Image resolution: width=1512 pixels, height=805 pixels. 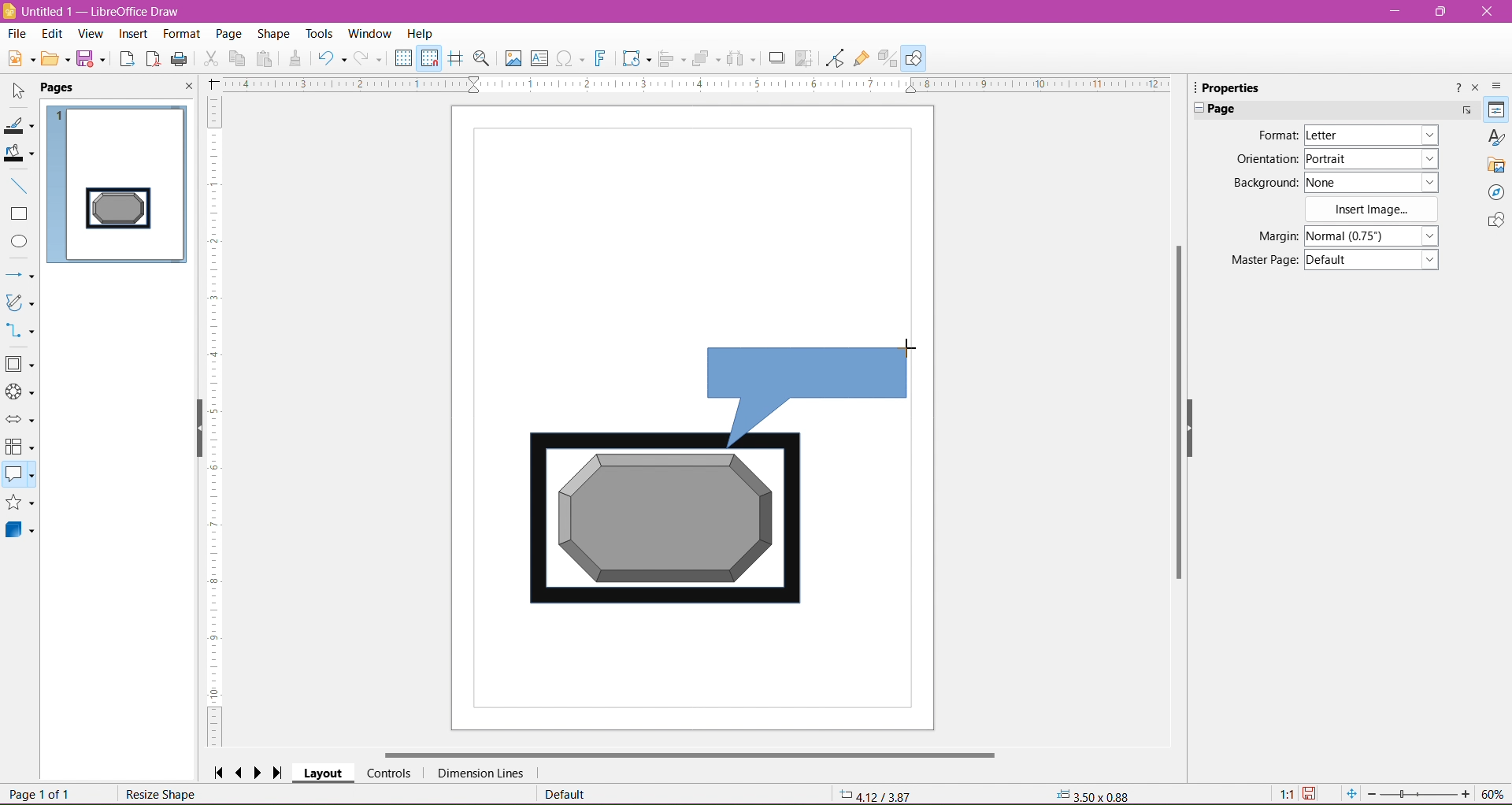 I want to click on Styles, so click(x=1496, y=137).